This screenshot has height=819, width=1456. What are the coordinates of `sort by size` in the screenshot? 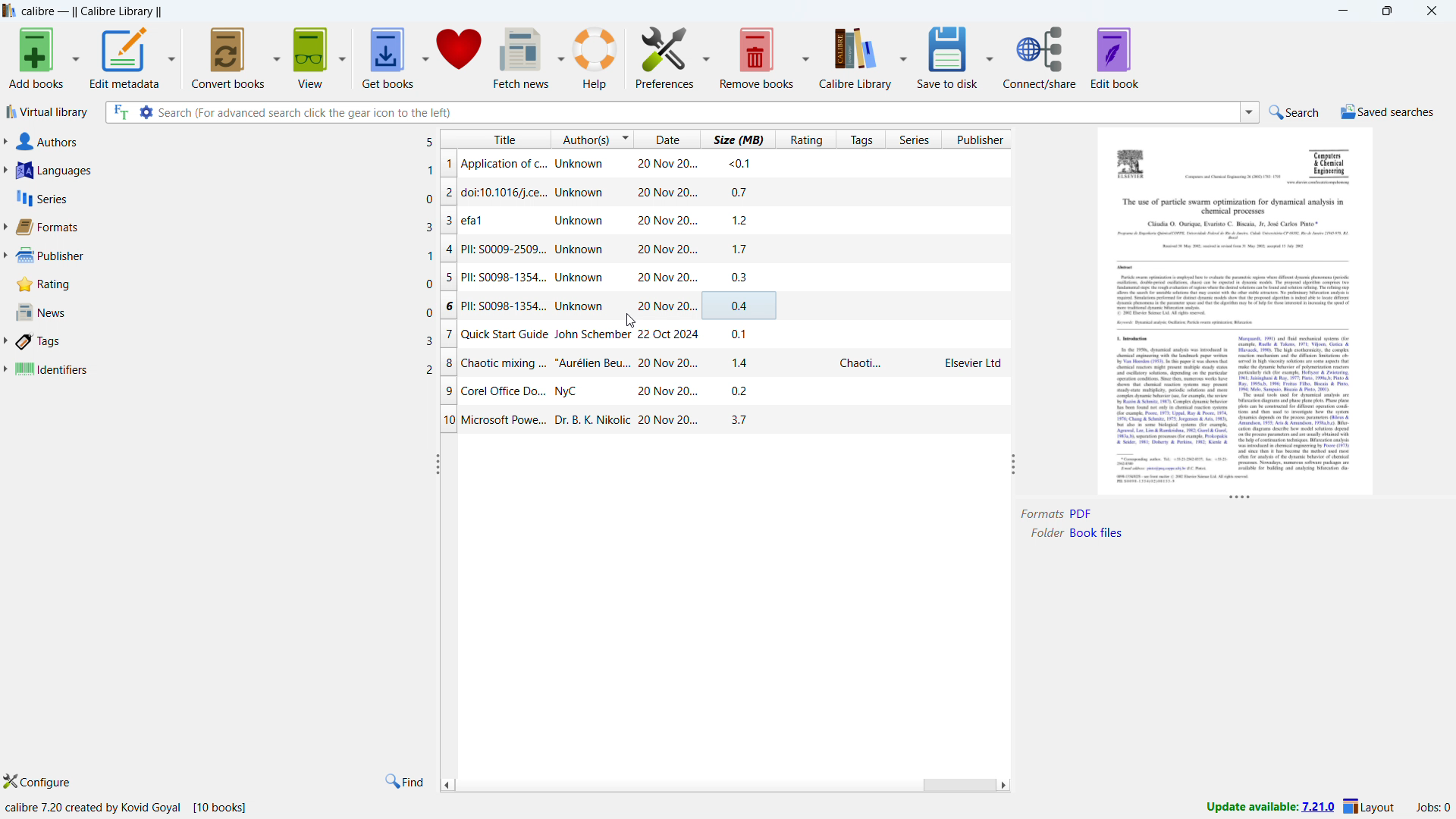 It's located at (736, 140).